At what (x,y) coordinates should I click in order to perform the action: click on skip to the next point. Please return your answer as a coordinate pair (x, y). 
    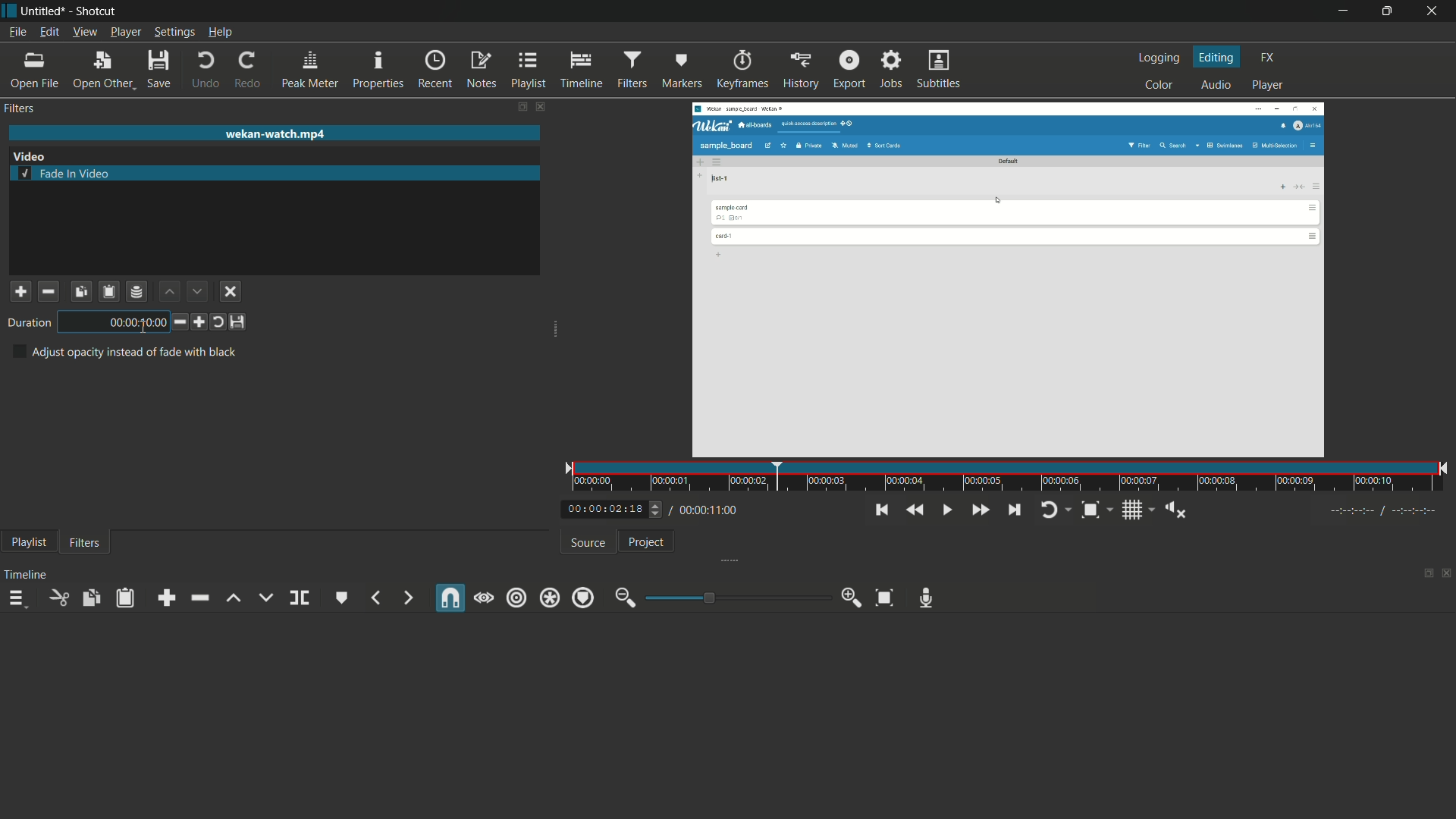
    Looking at the image, I should click on (1014, 510).